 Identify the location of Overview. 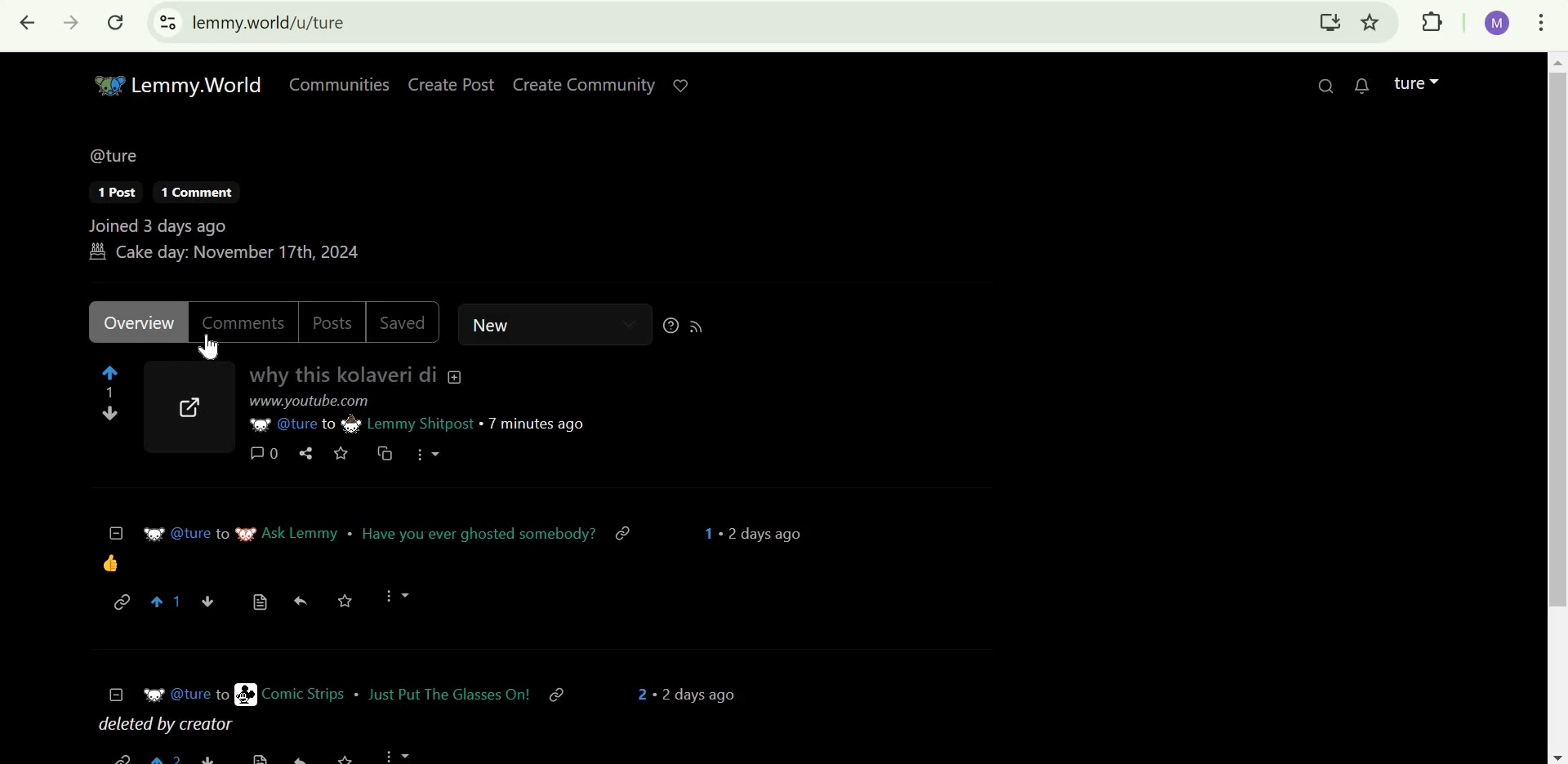
(139, 324).